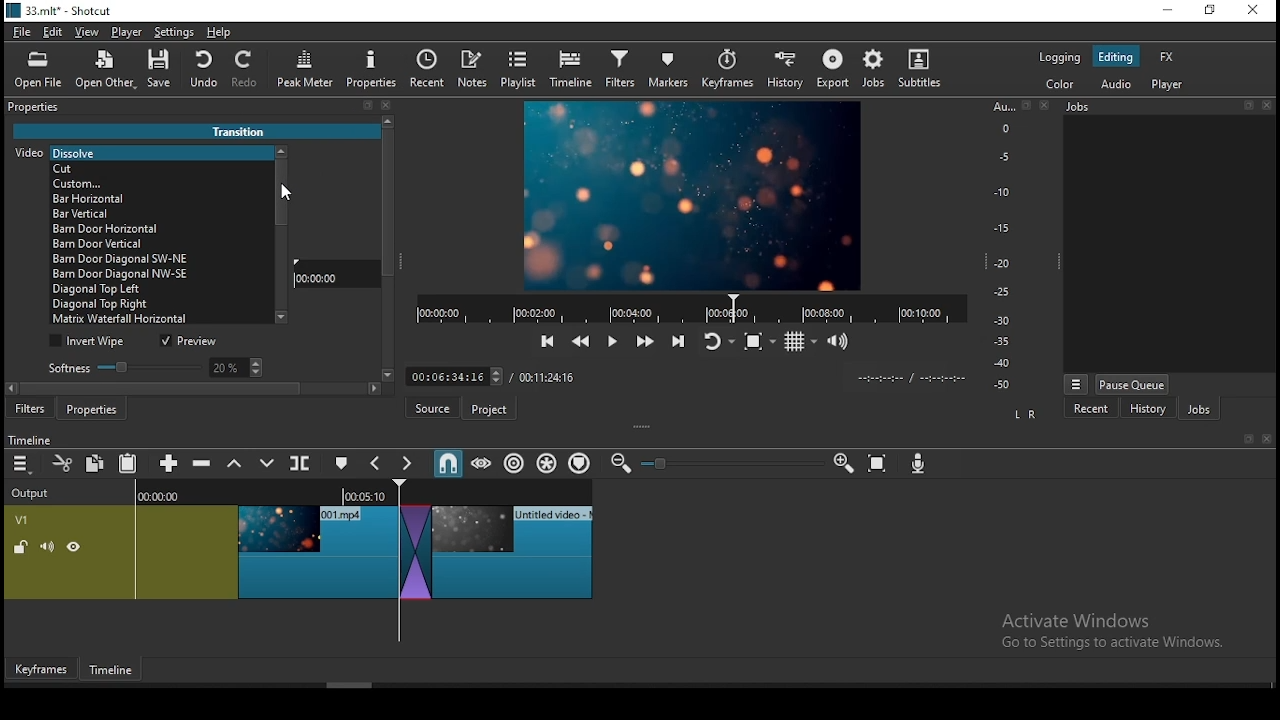  What do you see at coordinates (63, 463) in the screenshot?
I see `cut` at bounding box center [63, 463].